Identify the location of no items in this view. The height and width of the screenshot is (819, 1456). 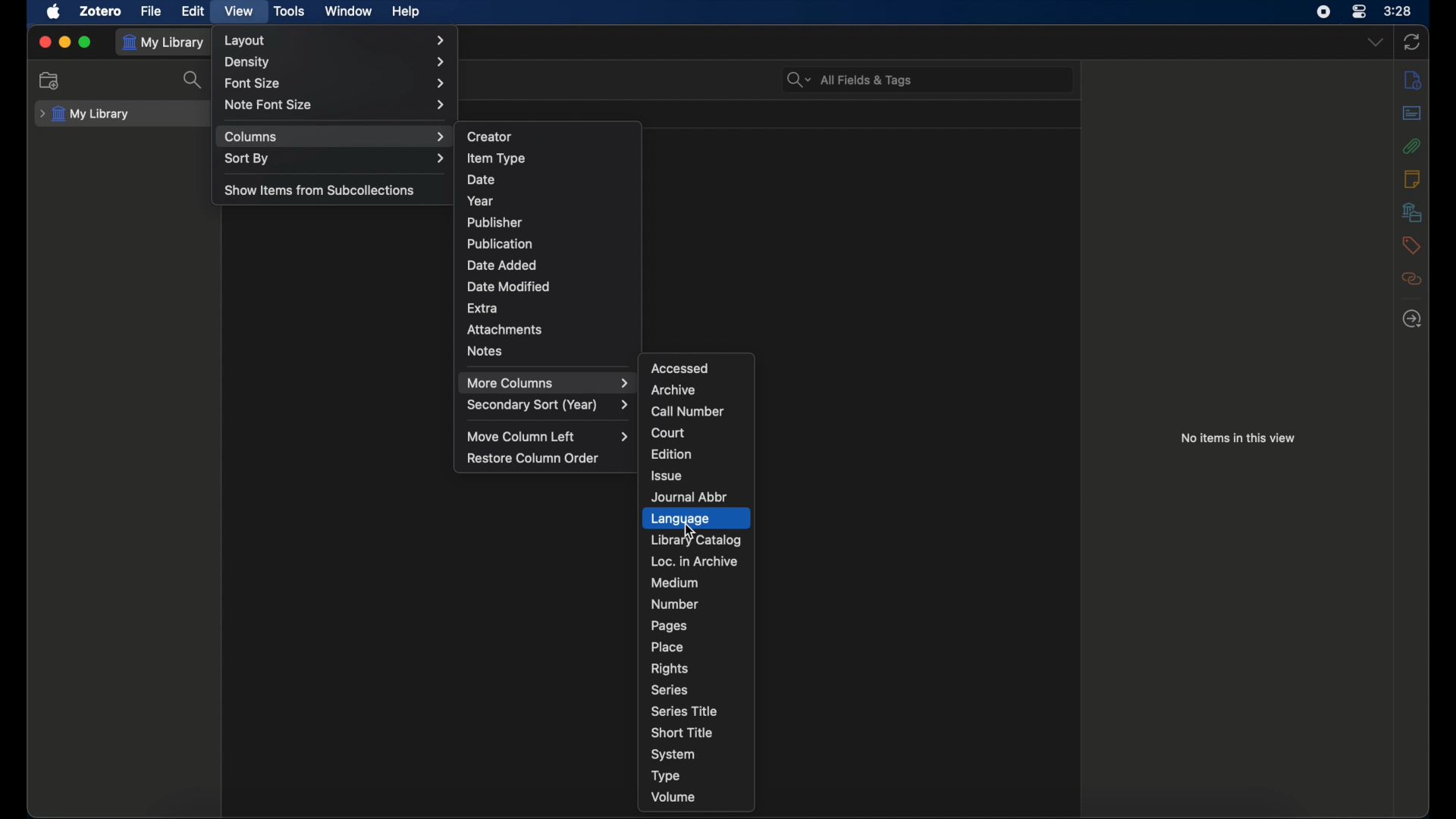
(1238, 438).